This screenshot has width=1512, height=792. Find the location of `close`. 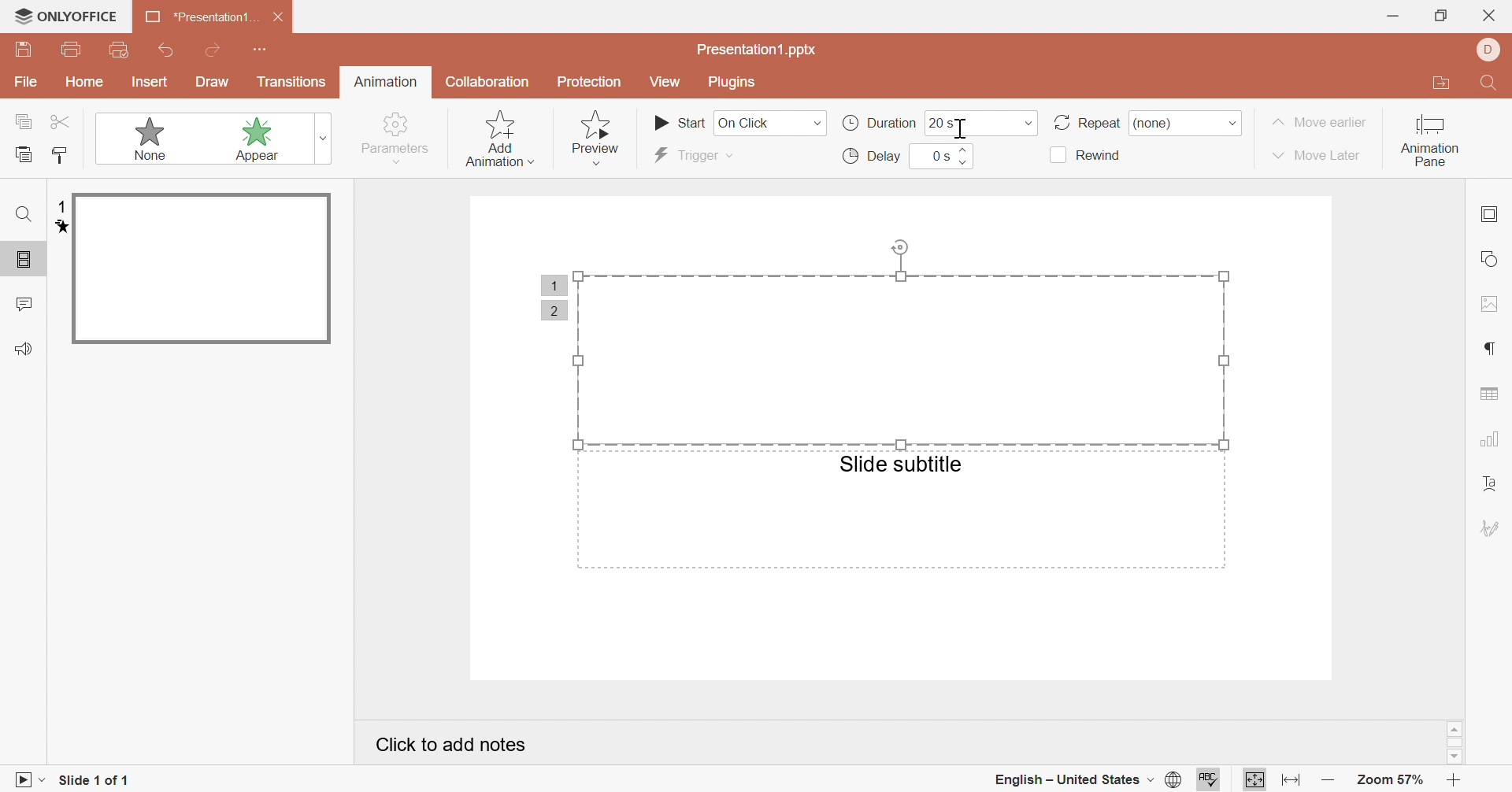

close is located at coordinates (1487, 15).